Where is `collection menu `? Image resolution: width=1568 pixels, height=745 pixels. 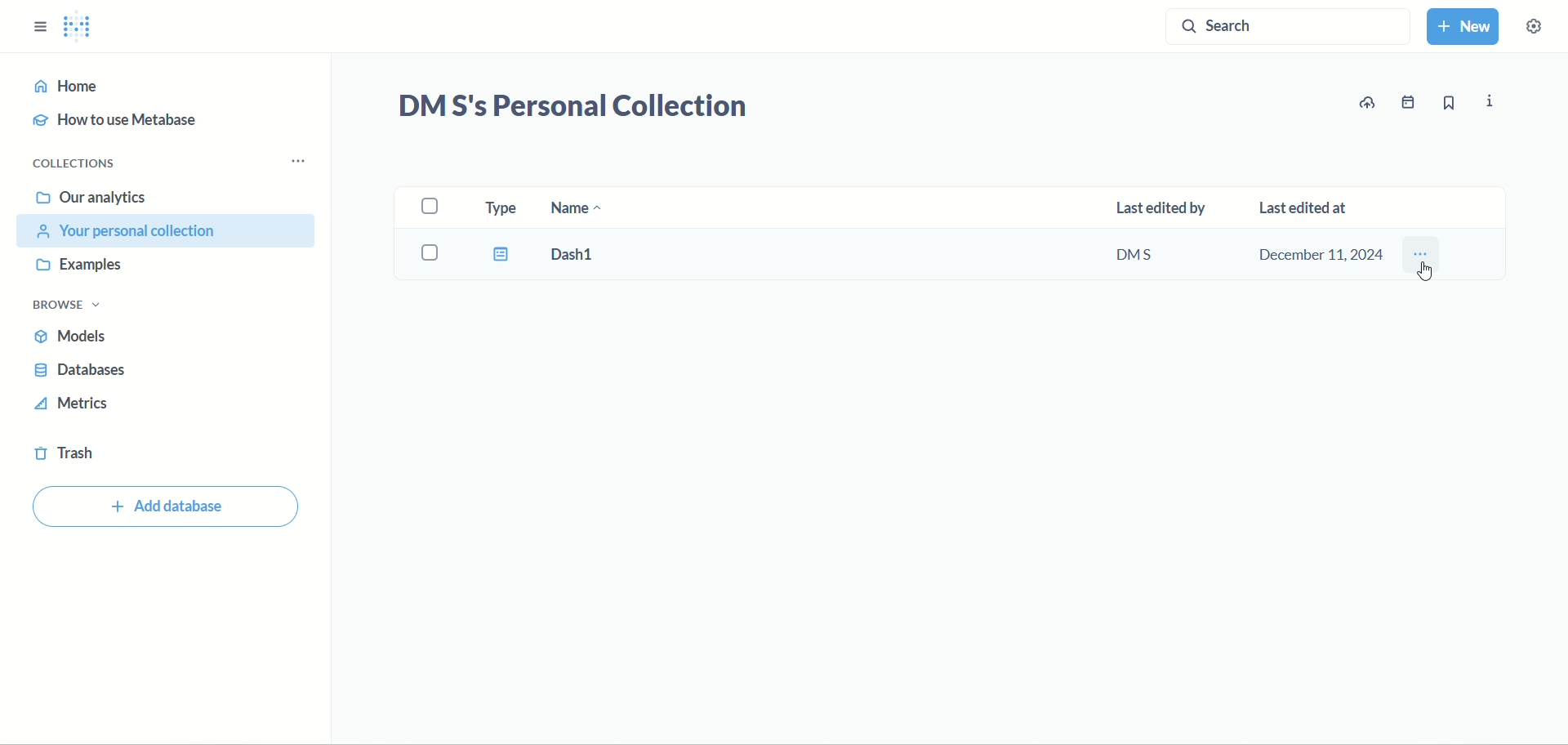 collection menu  is located at coordinates (305, 161).